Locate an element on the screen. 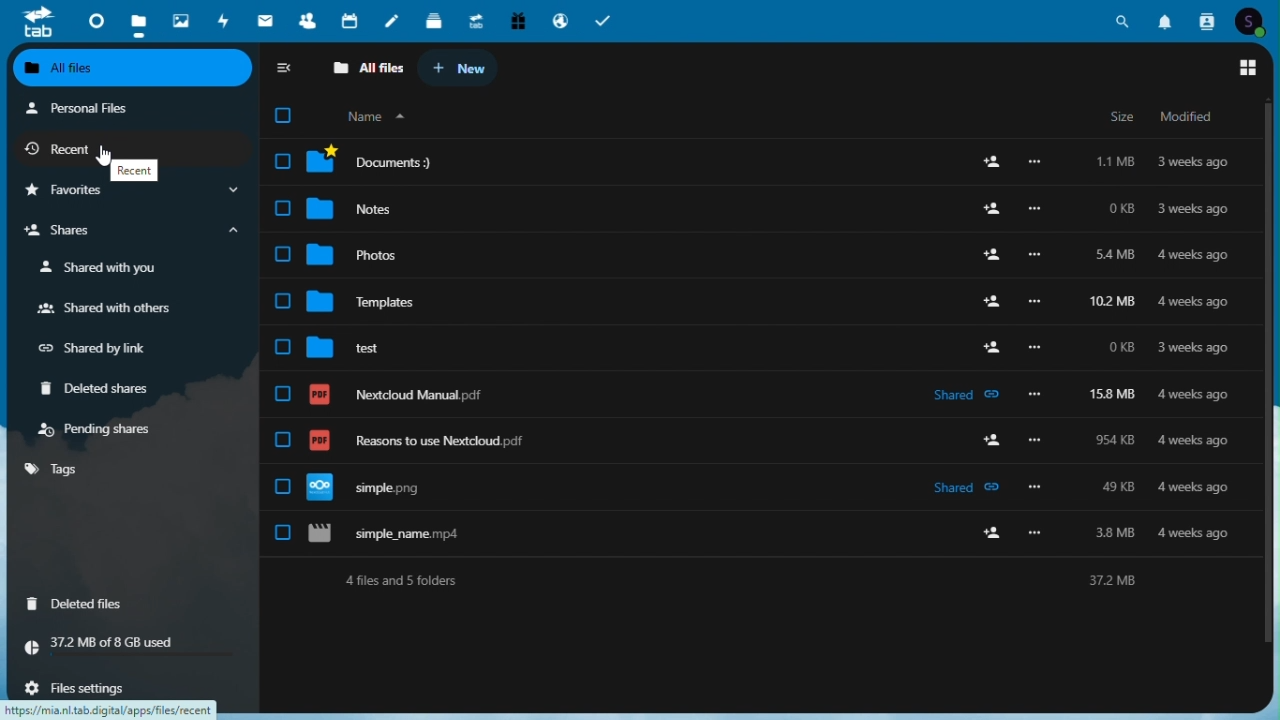 This screenshot has width=1280, height=720. Collapse side bar is located at coordinates (285, 71).